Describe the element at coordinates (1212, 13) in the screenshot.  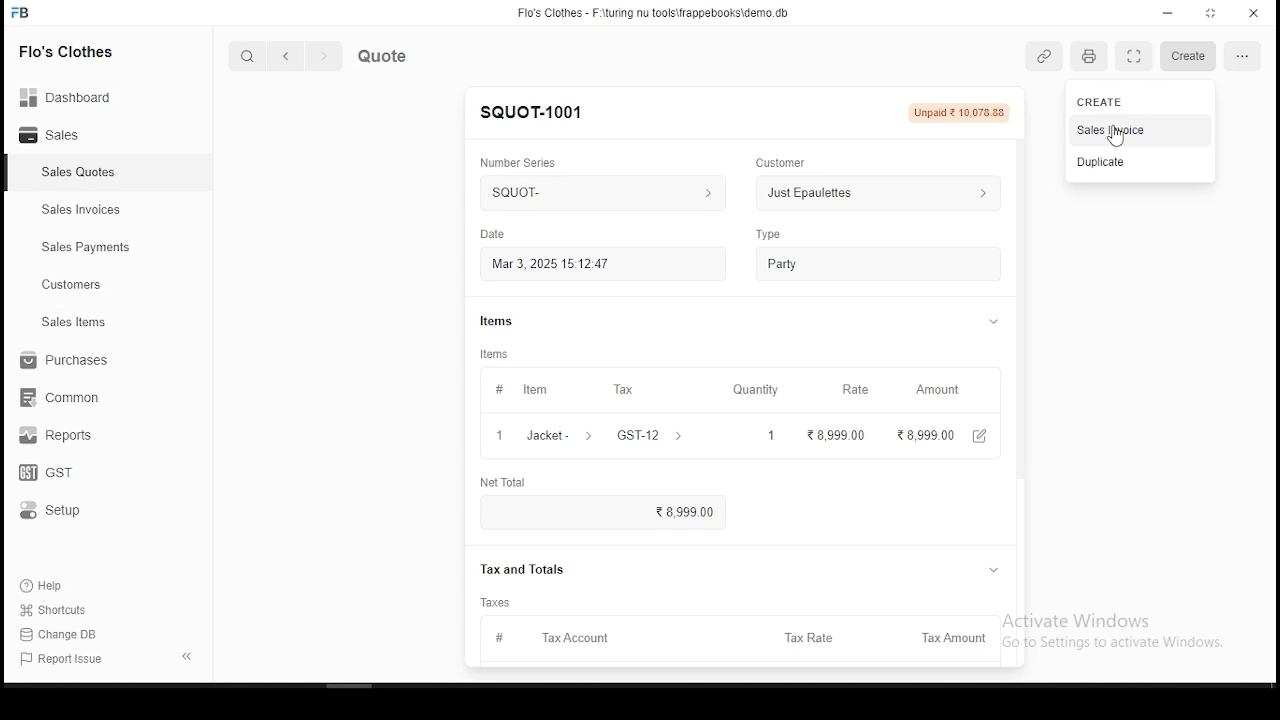
I see `maximize` at that location.